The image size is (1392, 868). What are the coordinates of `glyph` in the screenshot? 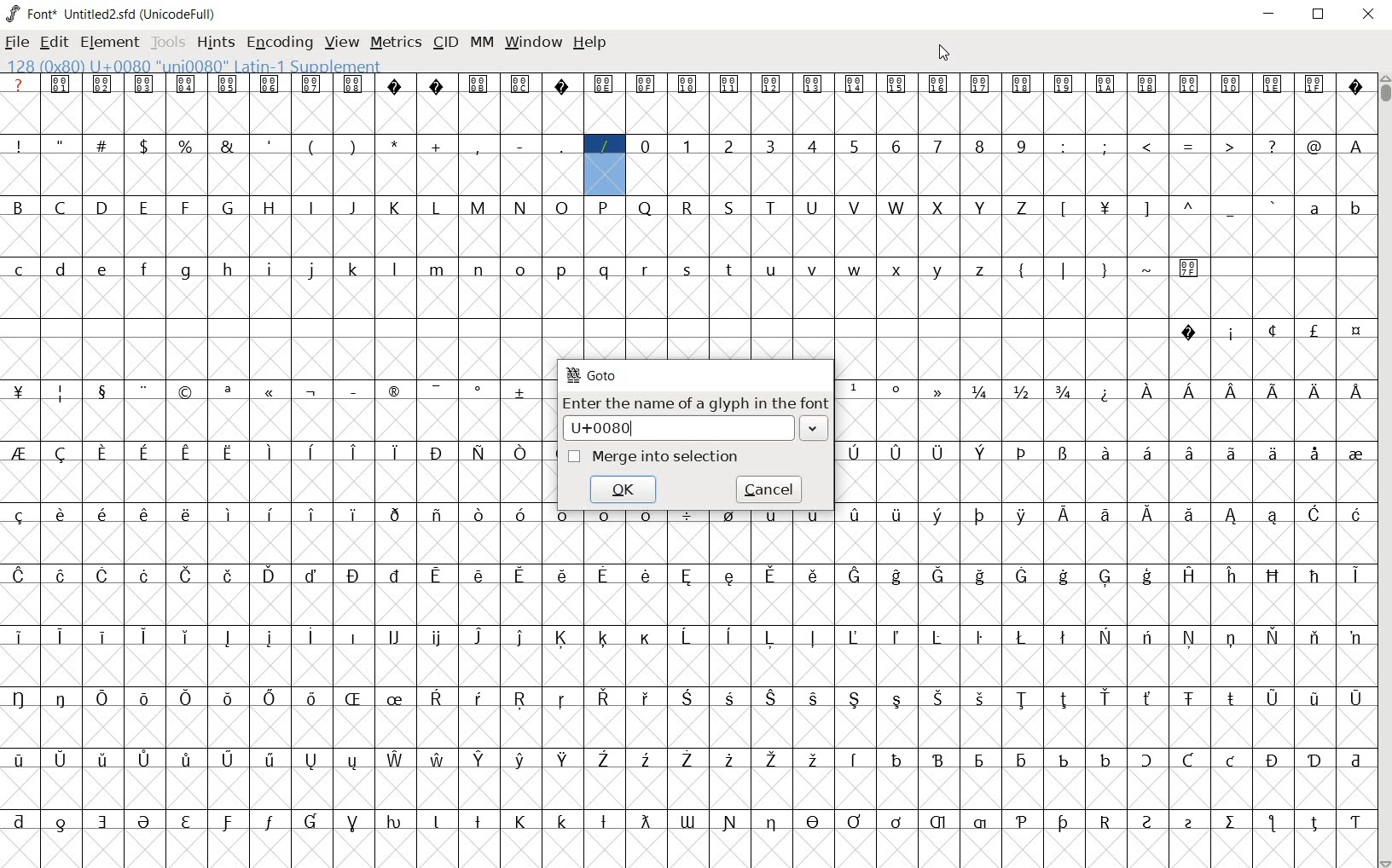 It's located at (855, 515).